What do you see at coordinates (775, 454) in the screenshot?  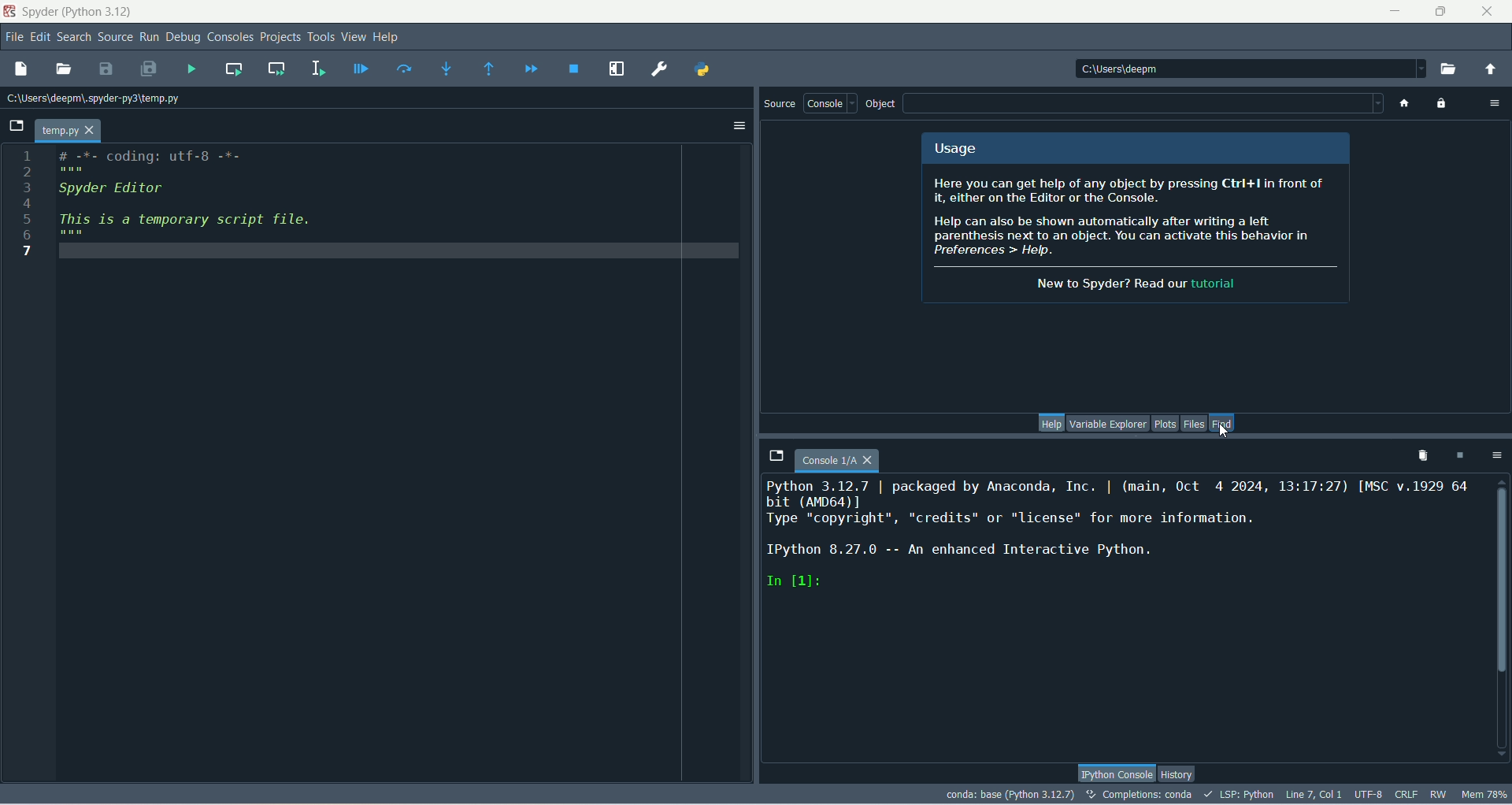 I see `browse tabs` at bounding box center [775, 454].